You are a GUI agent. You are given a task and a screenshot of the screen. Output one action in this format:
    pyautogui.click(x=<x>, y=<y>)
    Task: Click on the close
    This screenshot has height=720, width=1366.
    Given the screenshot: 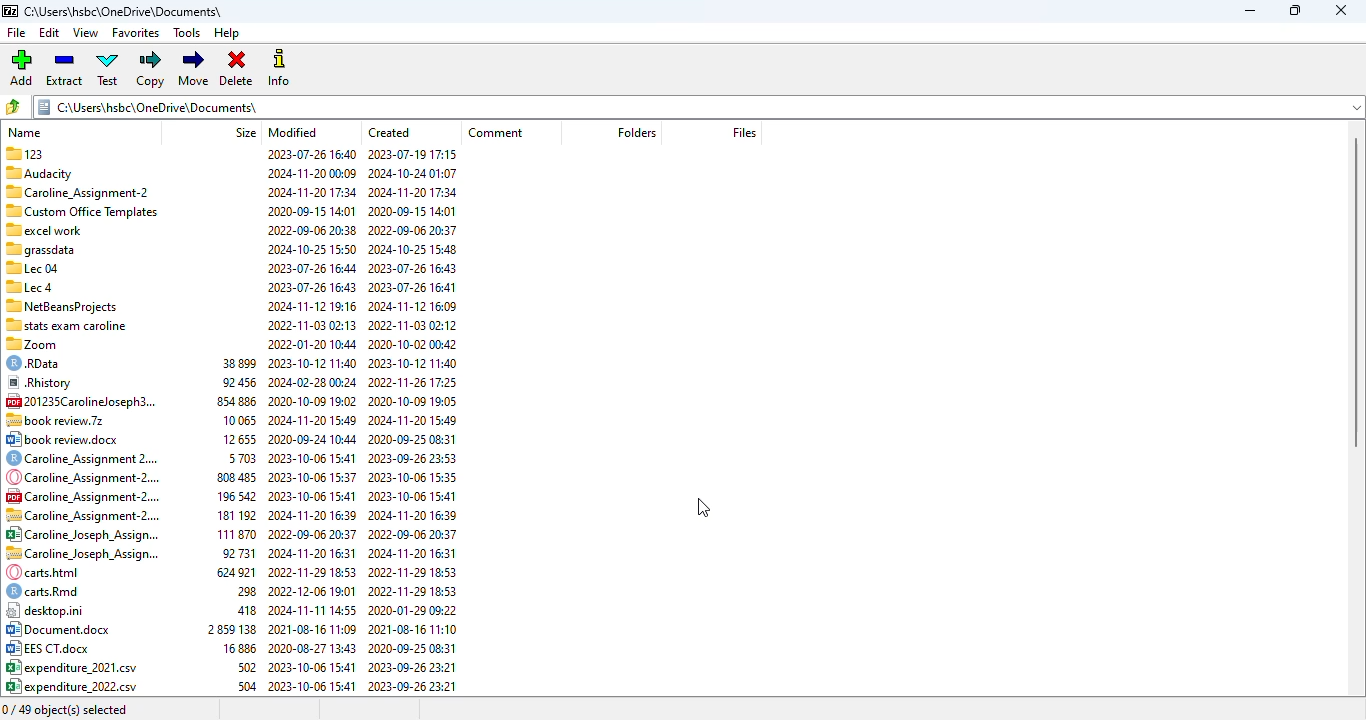 What is the action you would take?
    pyautogui.click(x=1340, y=10)
    